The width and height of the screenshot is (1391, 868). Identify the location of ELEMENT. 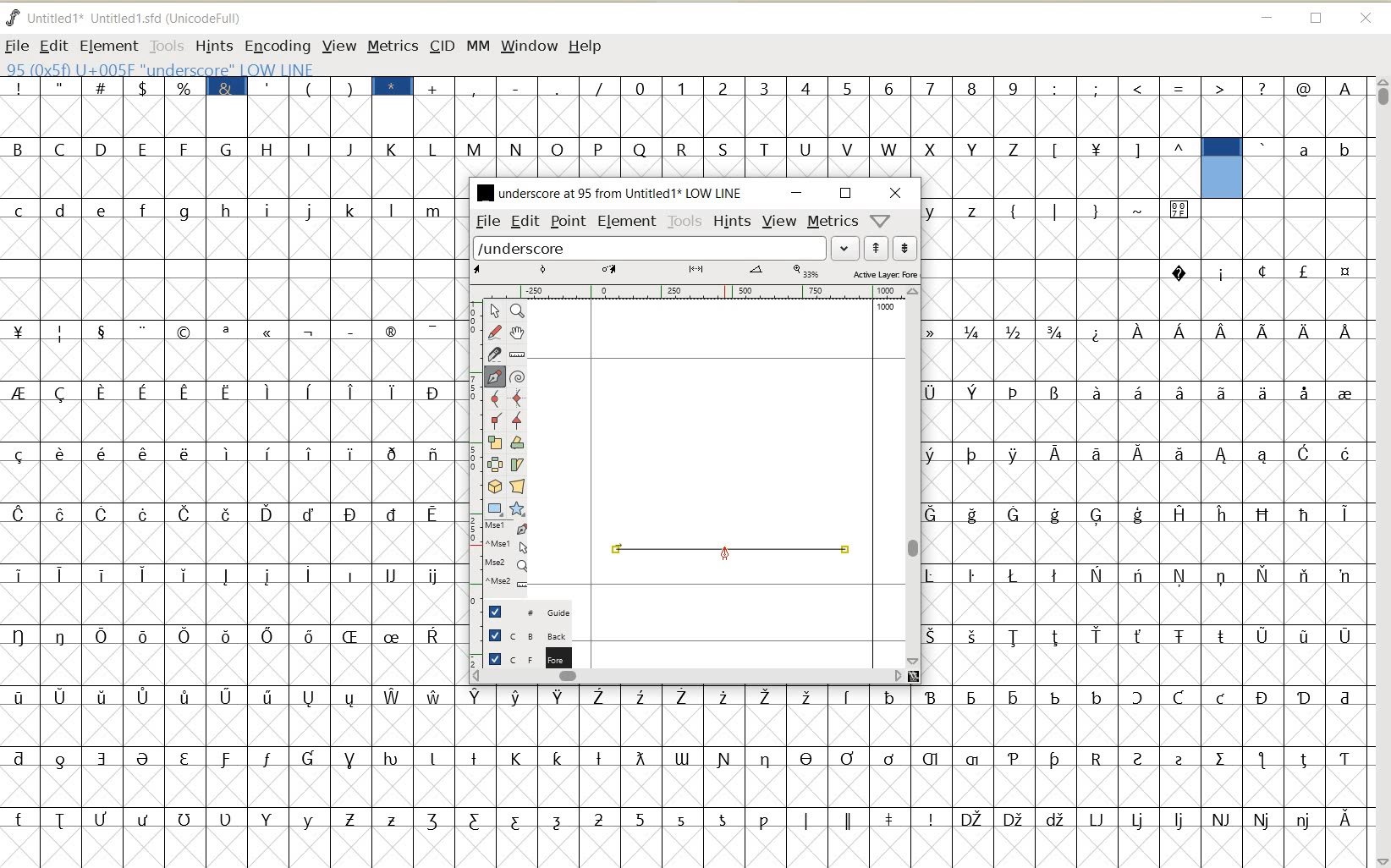
(108, 47).